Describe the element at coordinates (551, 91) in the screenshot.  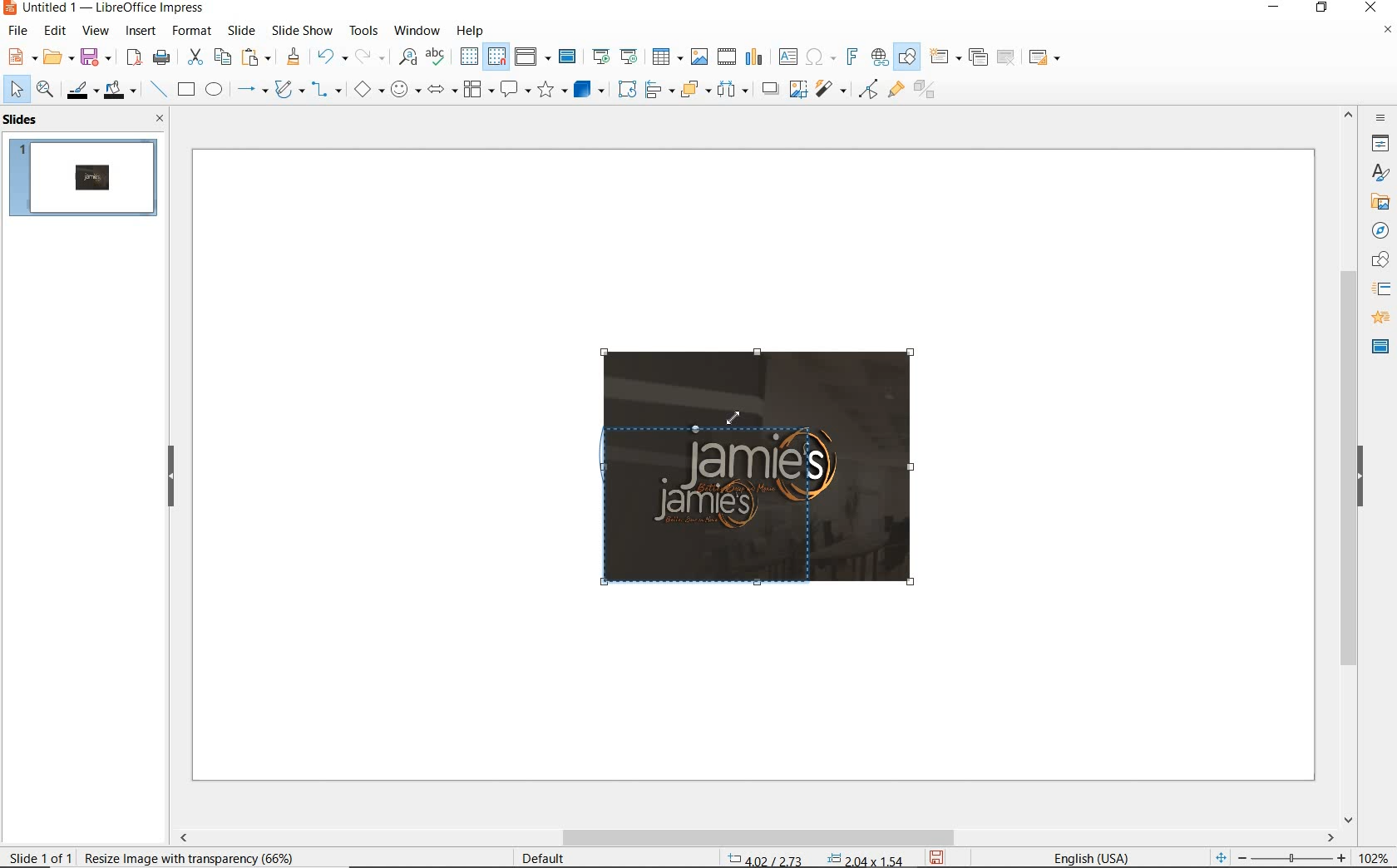
I see `stars and banners` at that location.